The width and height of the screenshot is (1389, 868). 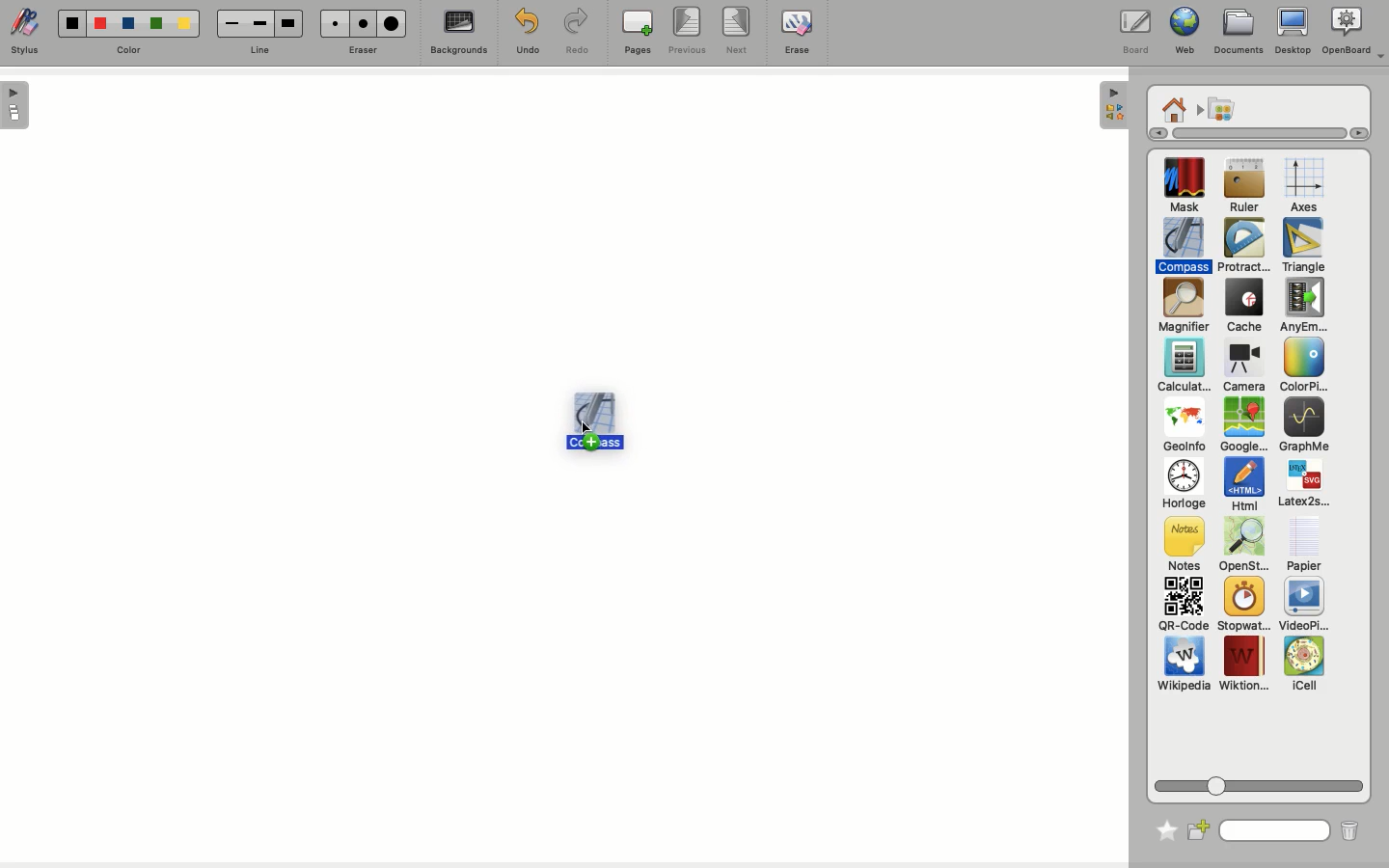 What do you see at coordinates (1182, 33) in the screenshot?
I see `Web` at bounding box center [1182, 33].